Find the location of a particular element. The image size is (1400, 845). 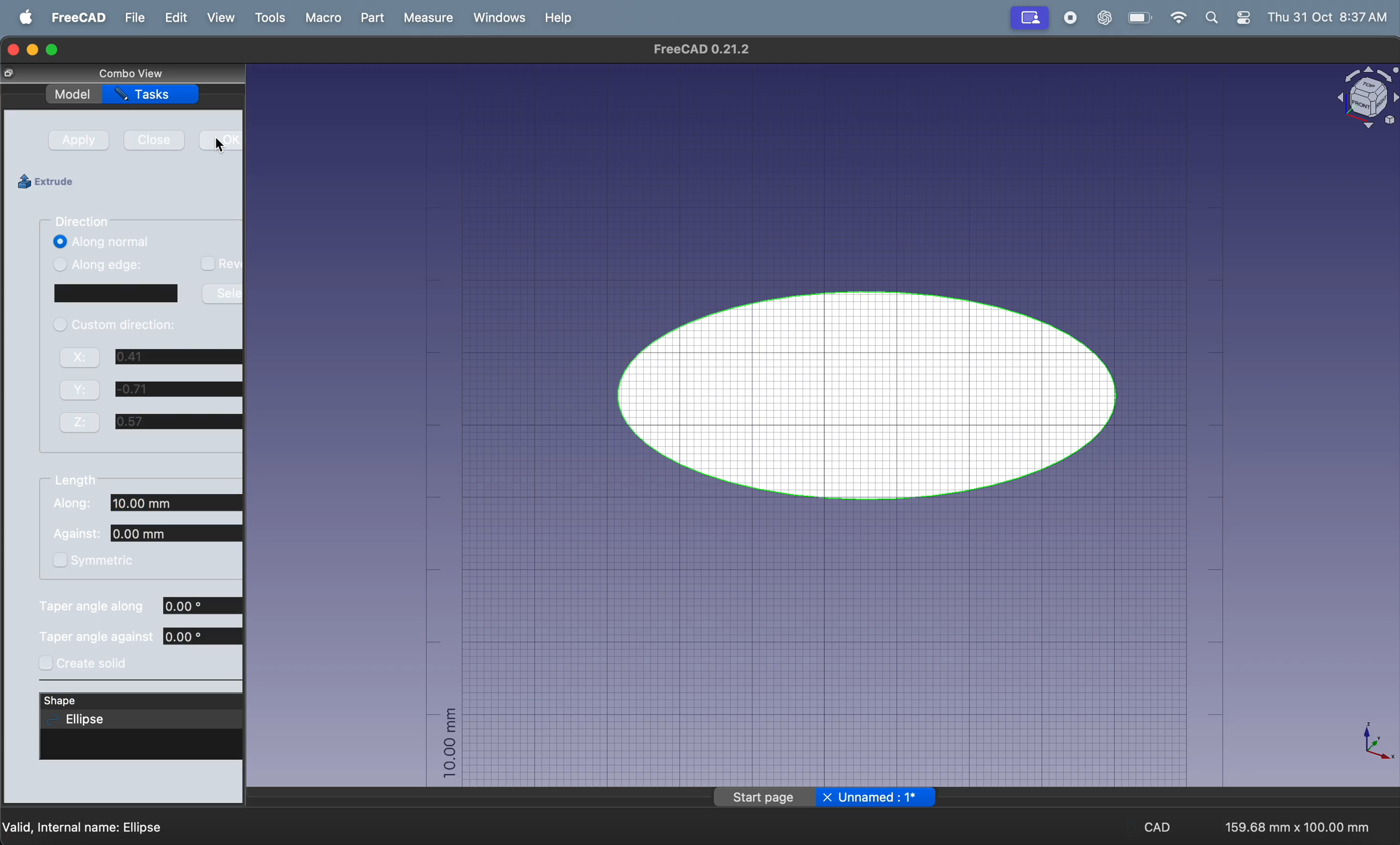

along normal is located at coordinates (101, 241).